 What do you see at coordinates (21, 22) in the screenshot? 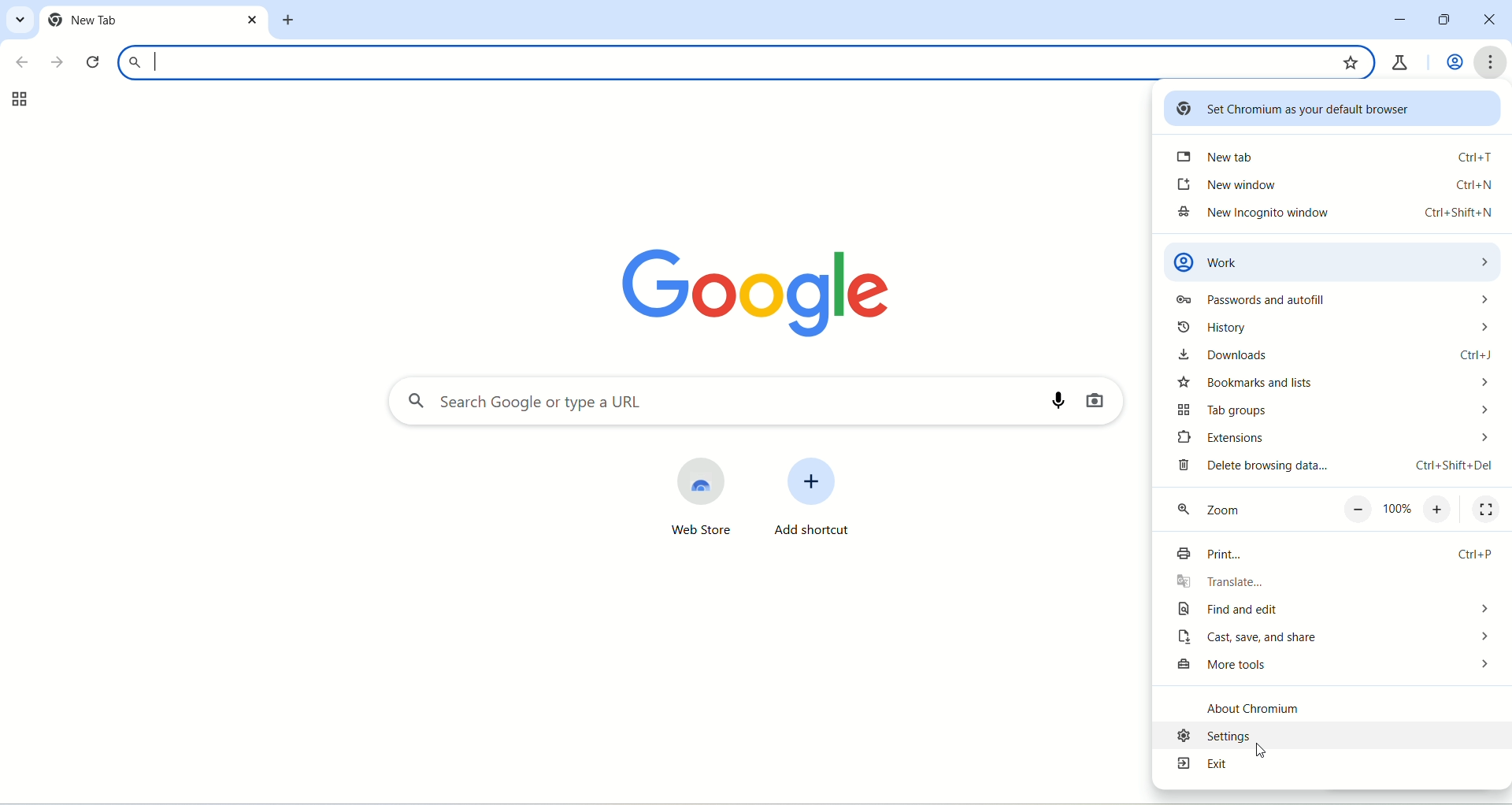
I see `search tabs` at bounding box center [21, 22].